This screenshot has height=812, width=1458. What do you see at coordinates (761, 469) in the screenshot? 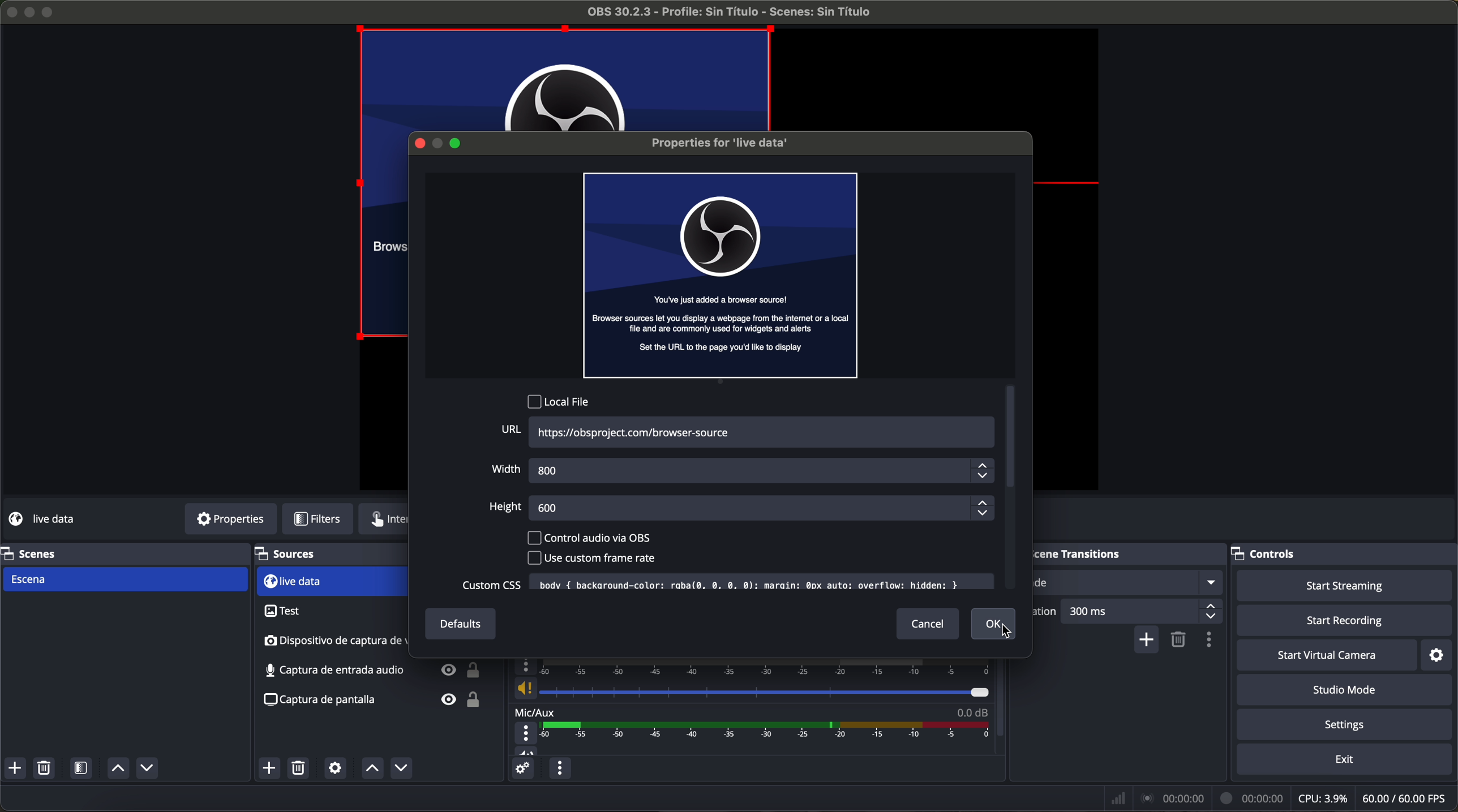
I see `800` at bounding box center [761, 469].